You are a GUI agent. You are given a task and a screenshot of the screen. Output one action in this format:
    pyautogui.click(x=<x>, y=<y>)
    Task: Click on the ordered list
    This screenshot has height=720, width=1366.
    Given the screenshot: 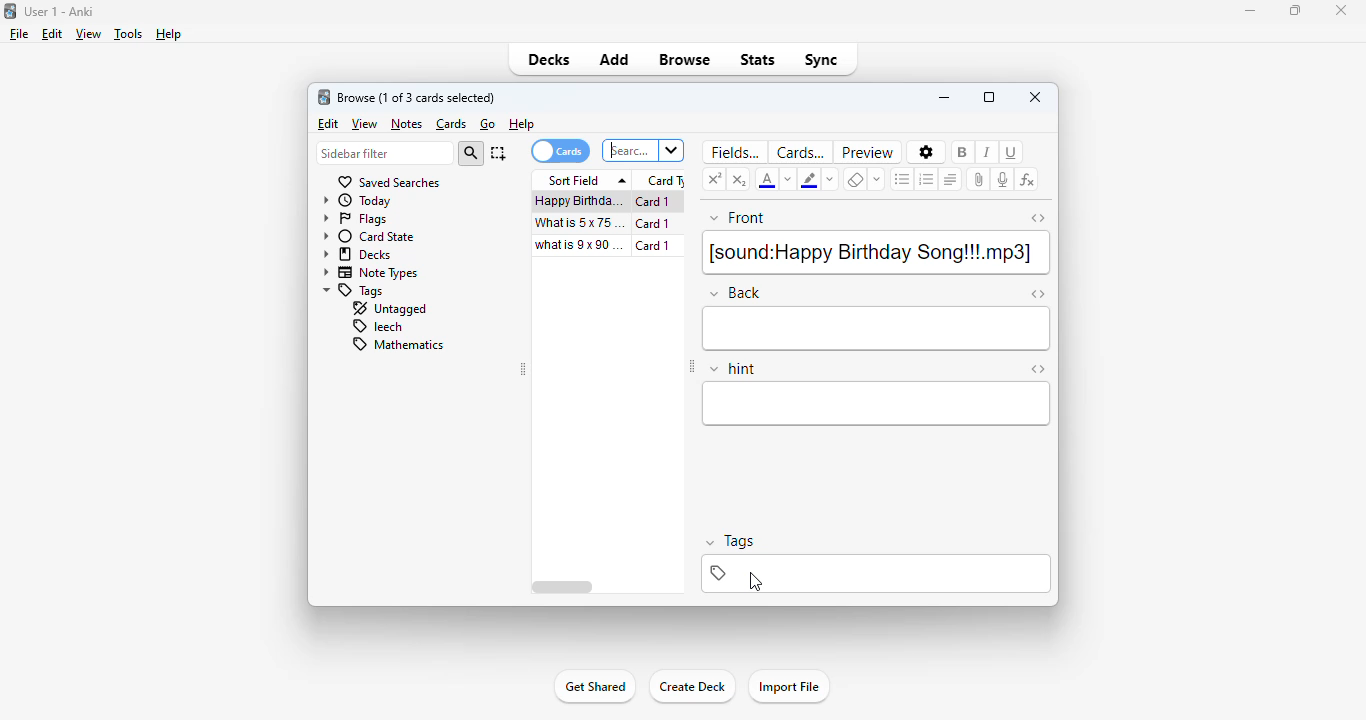 What is the action you would take?
    pyautogui.click(x=926, y=179)
    